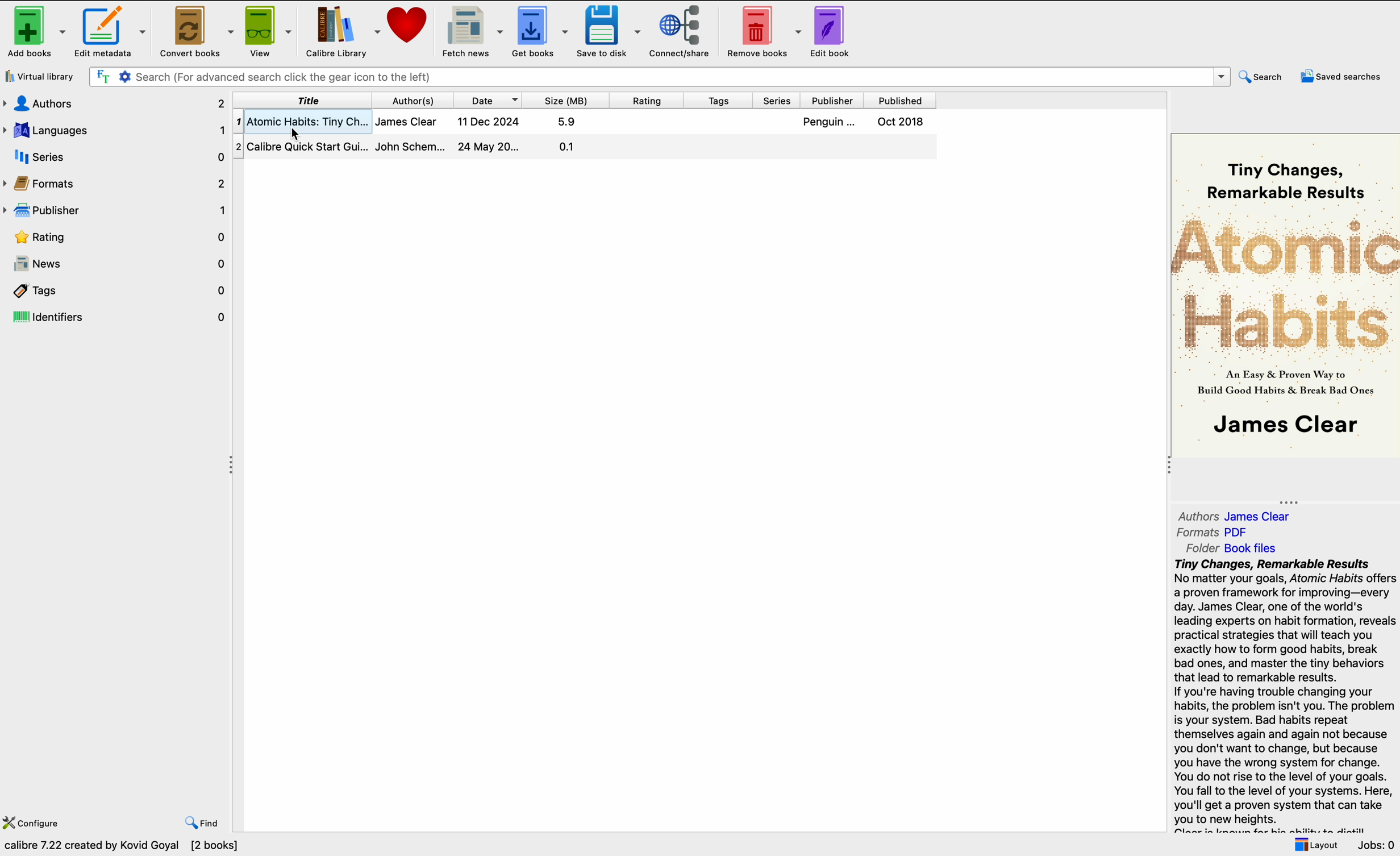 Image resolution: width=1400 pixels, height=856 pixels. Describe the element at coordinates (585, 147) in the screenshot. I see `second book` at that location.